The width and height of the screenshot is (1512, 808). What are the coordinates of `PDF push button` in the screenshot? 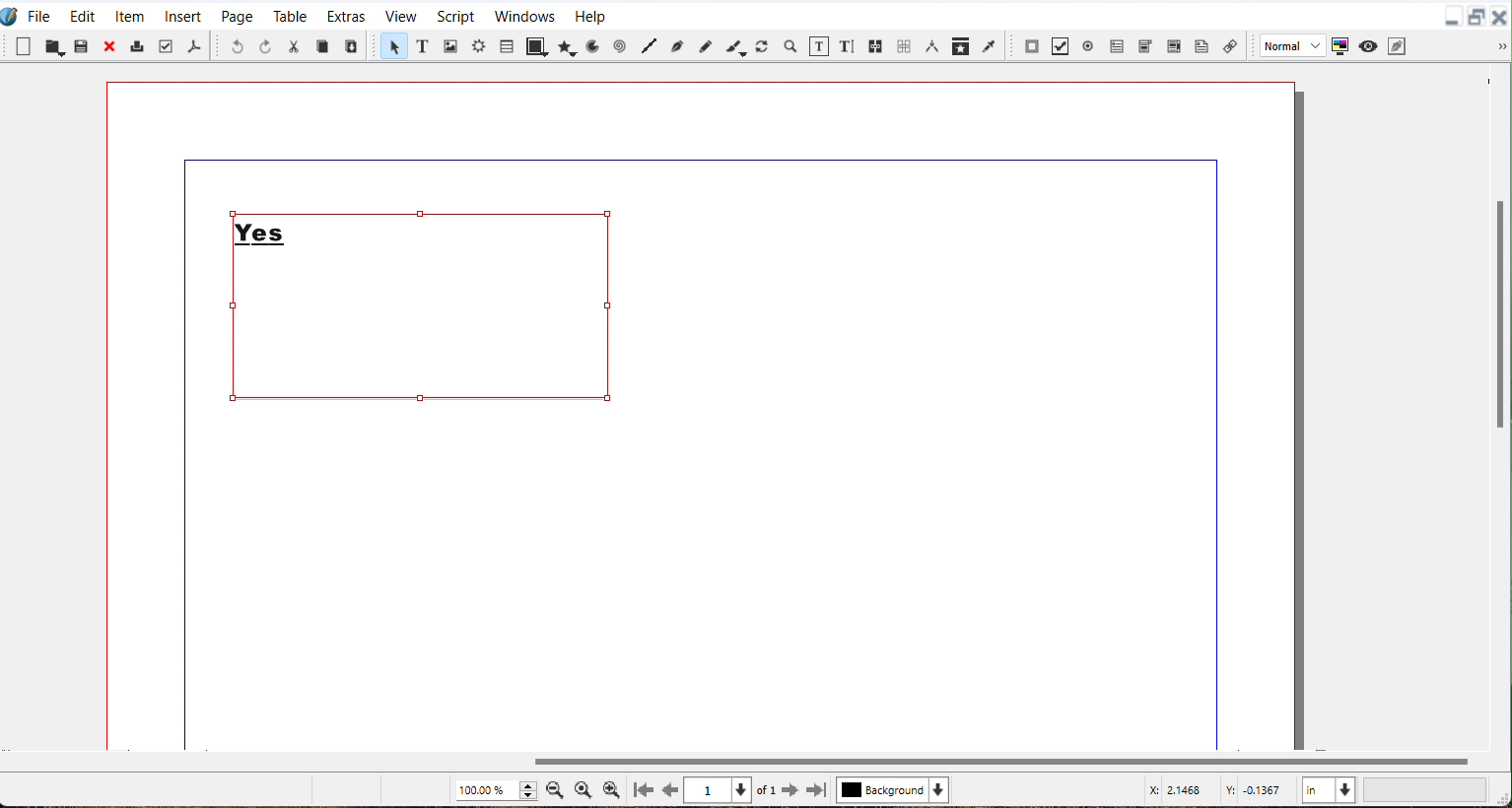 It's located at (1032, 44).